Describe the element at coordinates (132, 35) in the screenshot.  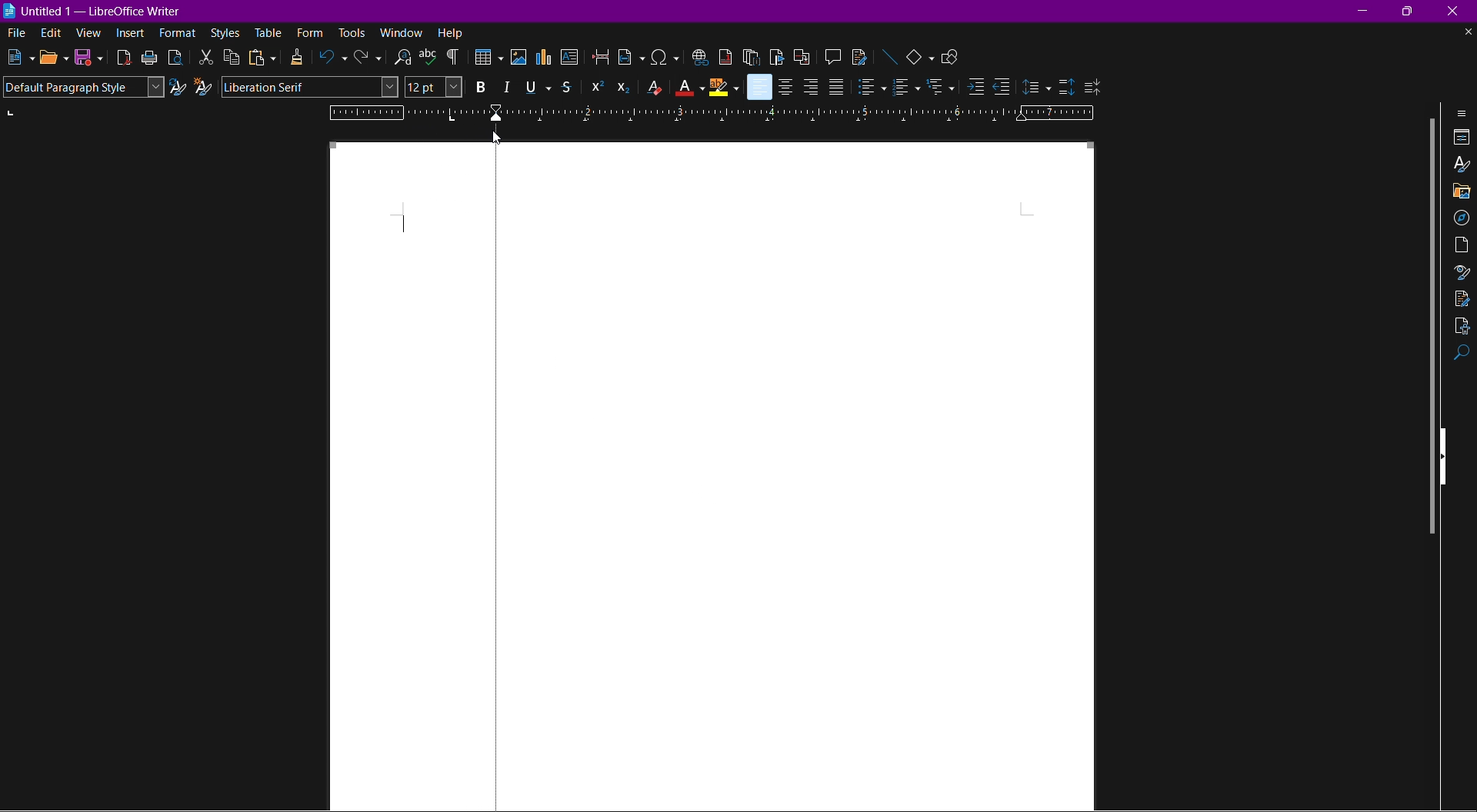
I see `insert` at that location.